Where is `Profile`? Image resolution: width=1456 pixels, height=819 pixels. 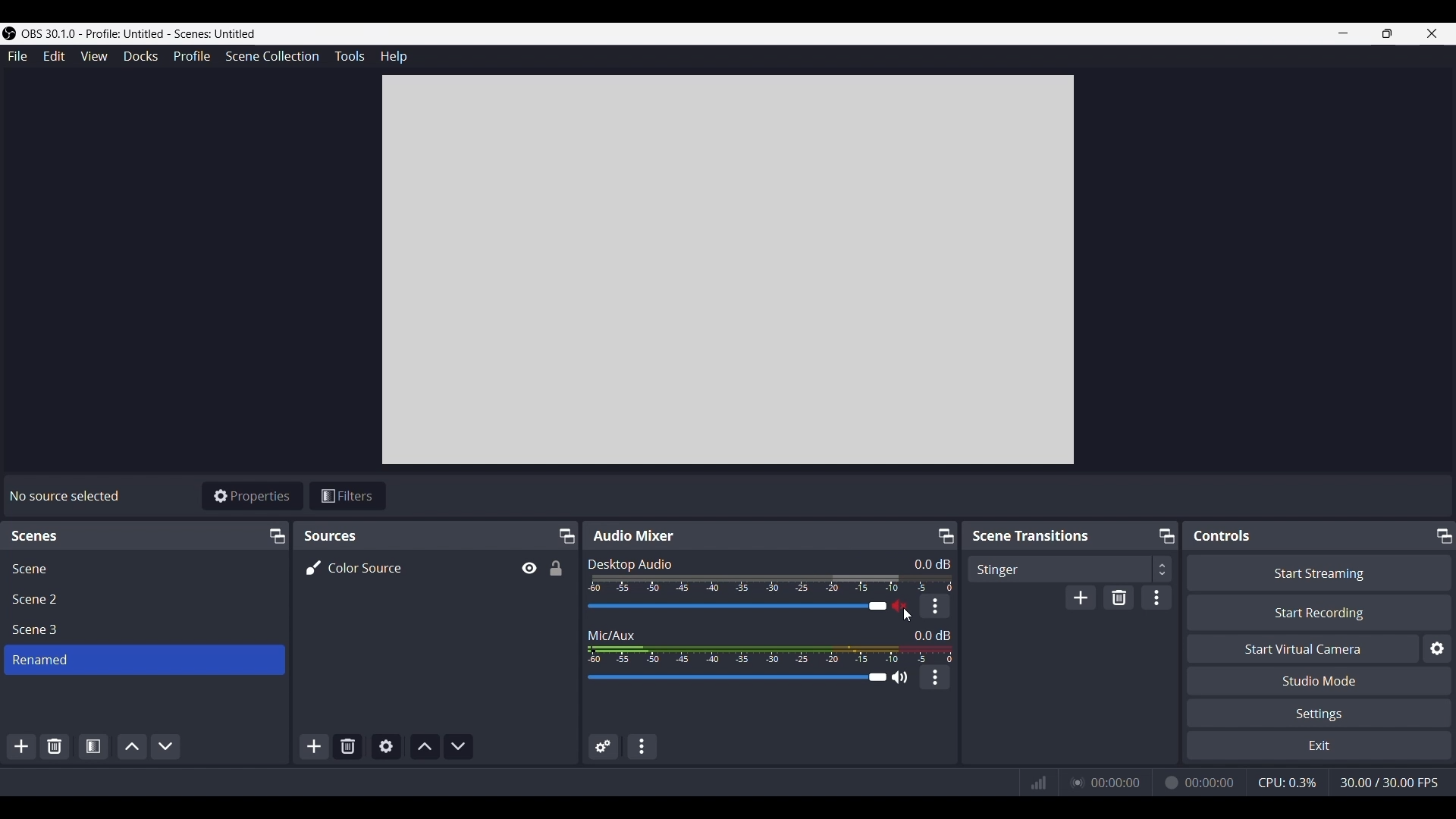 Profile is located at coordinates (191, 57).